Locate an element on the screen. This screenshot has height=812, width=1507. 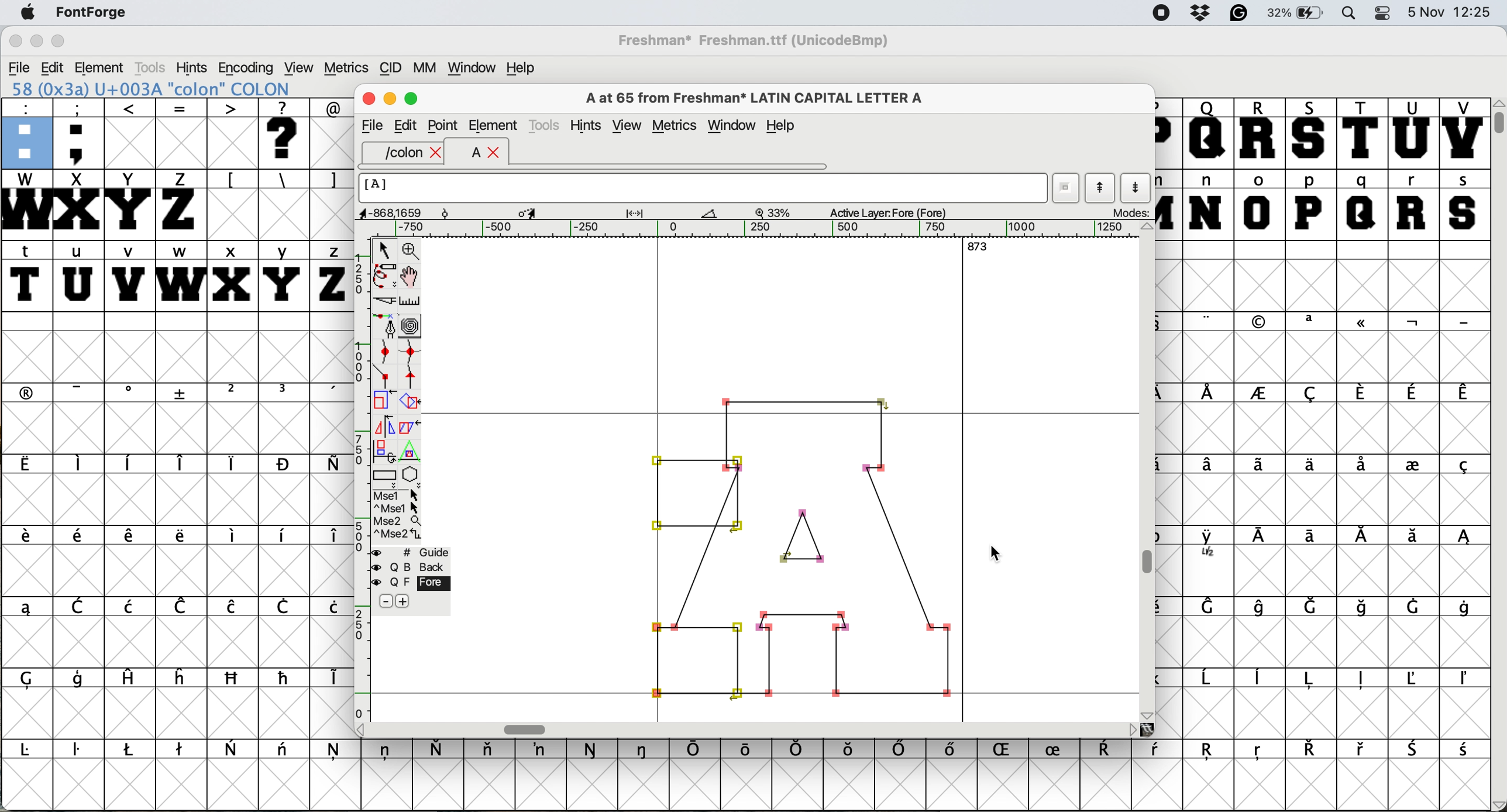
Mse1 is located at coordinates (399, 493).